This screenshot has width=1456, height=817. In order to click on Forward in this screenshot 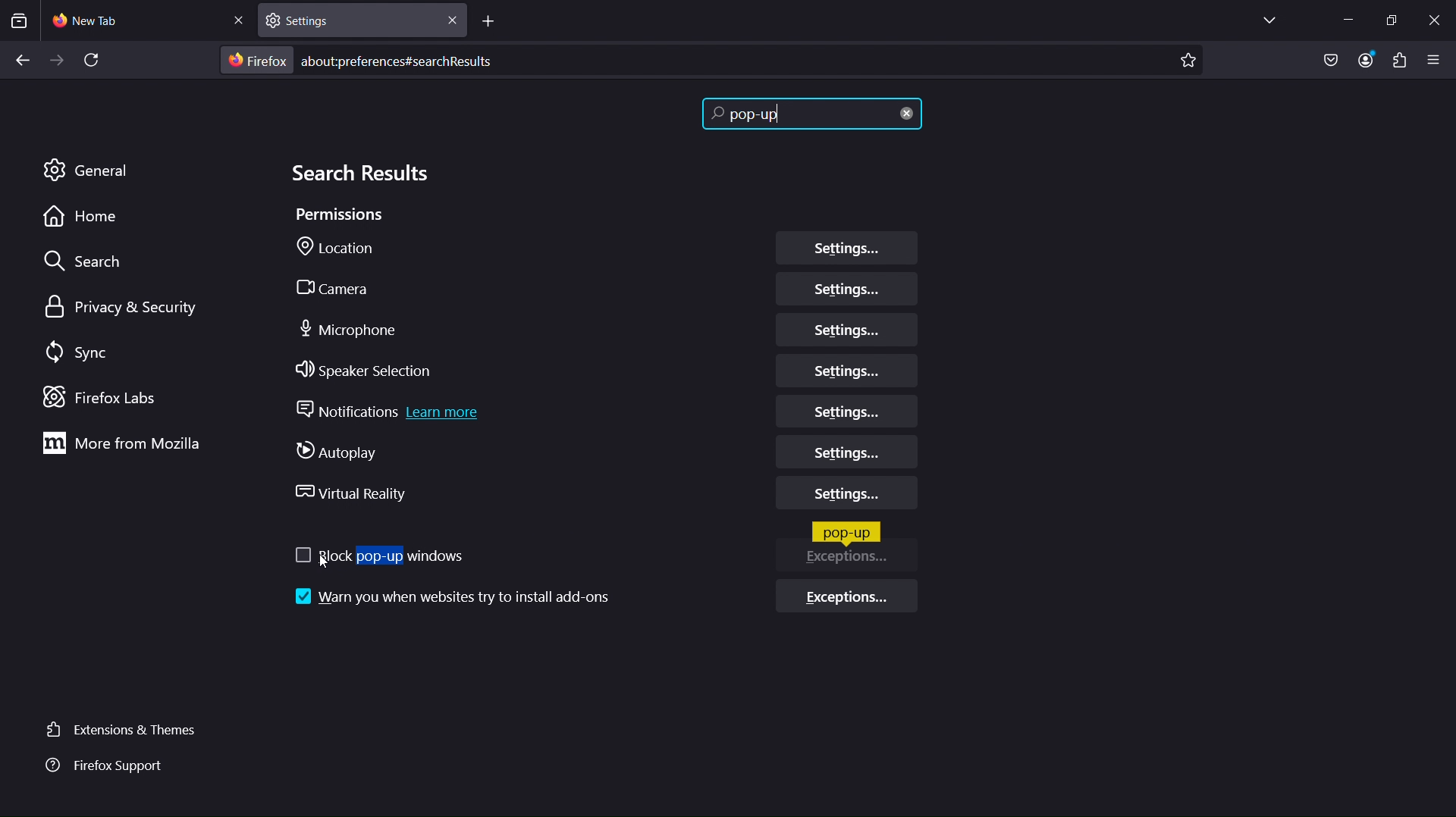, I will do `click(55, 62)`.